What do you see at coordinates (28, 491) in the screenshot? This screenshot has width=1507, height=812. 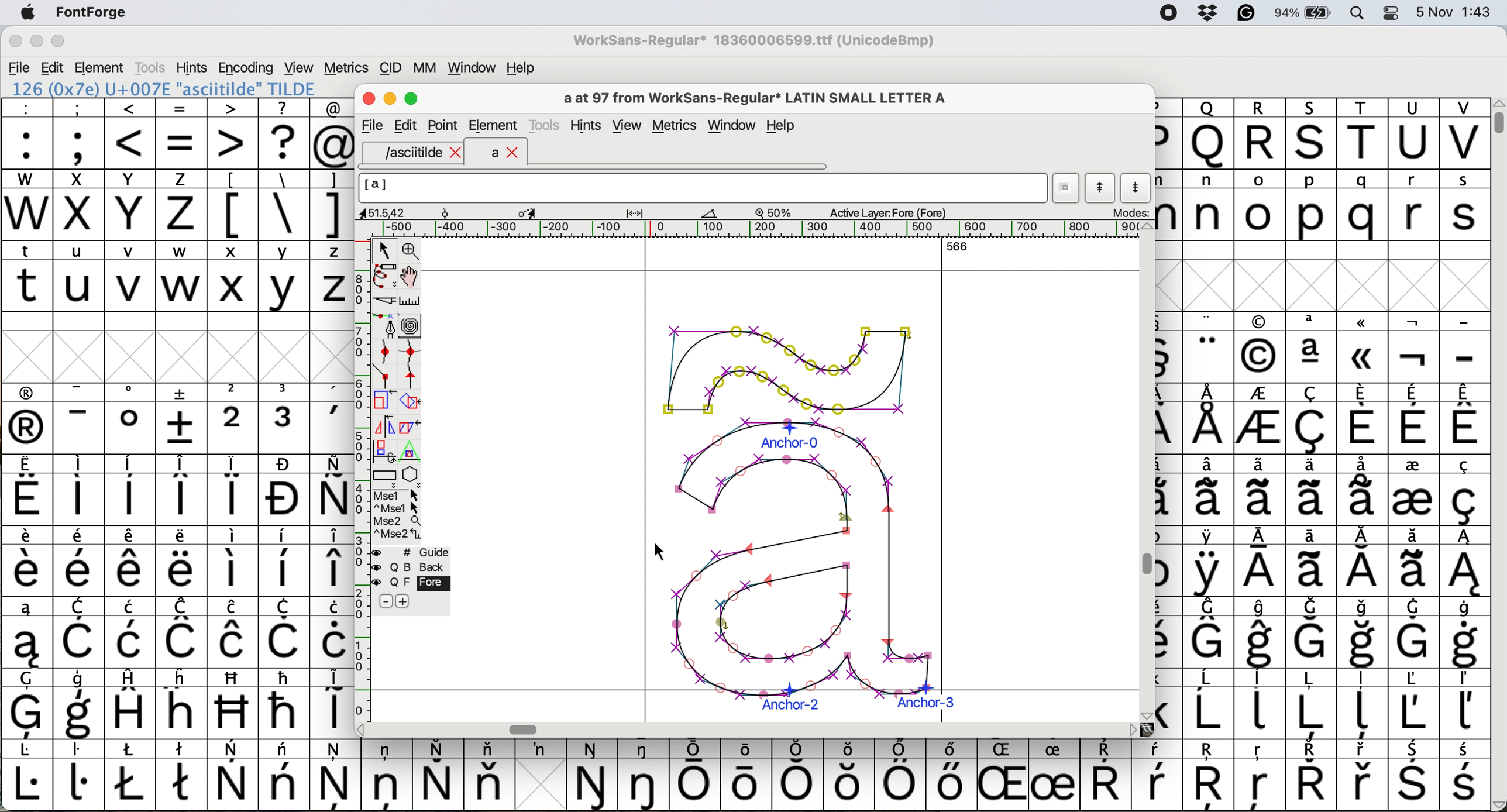 I see `symbol` at bounding box center [28, 491].